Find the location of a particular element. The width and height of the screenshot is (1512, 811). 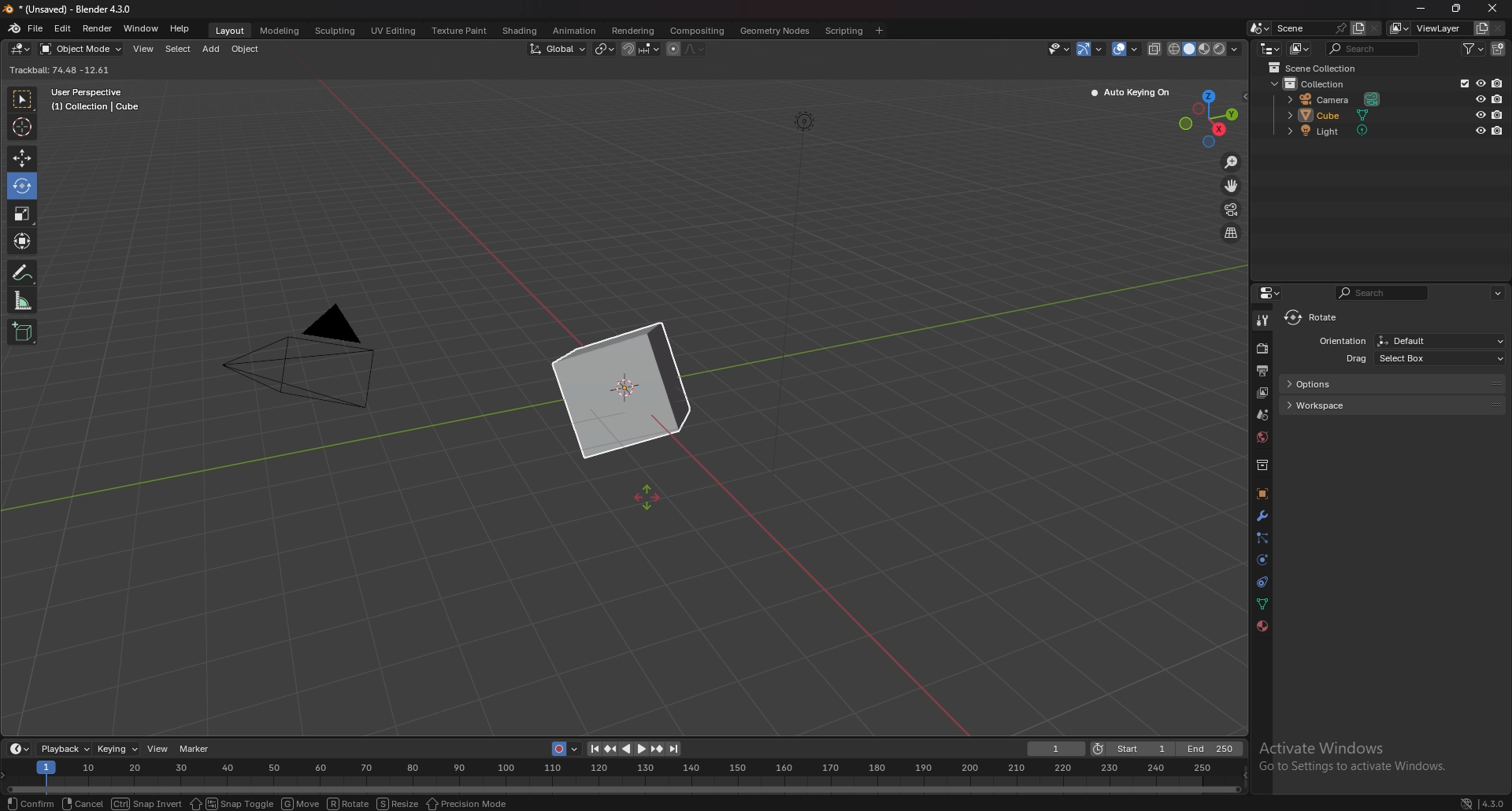

options is located at coordinates (1392, 383).